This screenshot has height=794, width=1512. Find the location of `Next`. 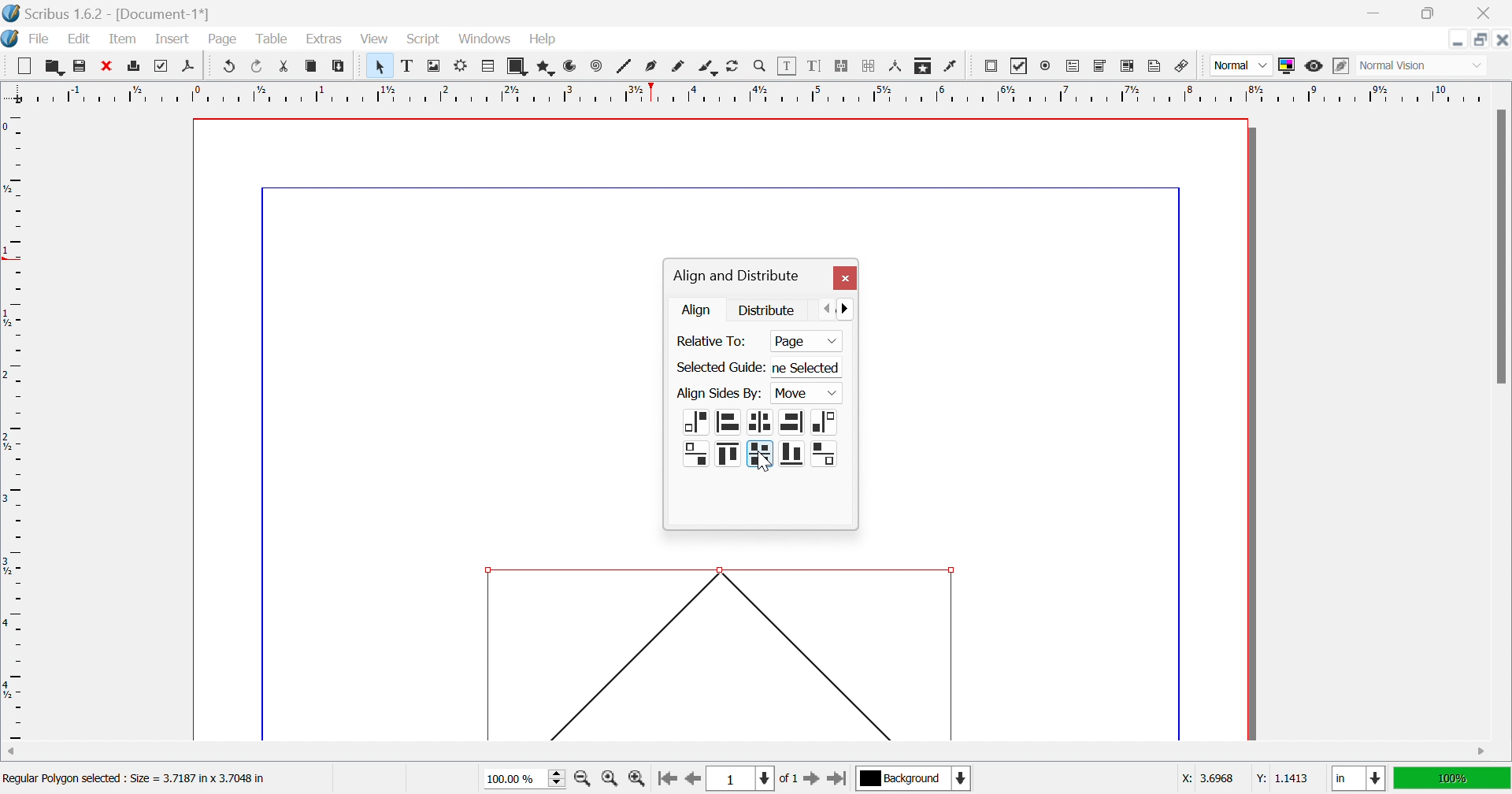

Next is located at coordinates (851, 307).